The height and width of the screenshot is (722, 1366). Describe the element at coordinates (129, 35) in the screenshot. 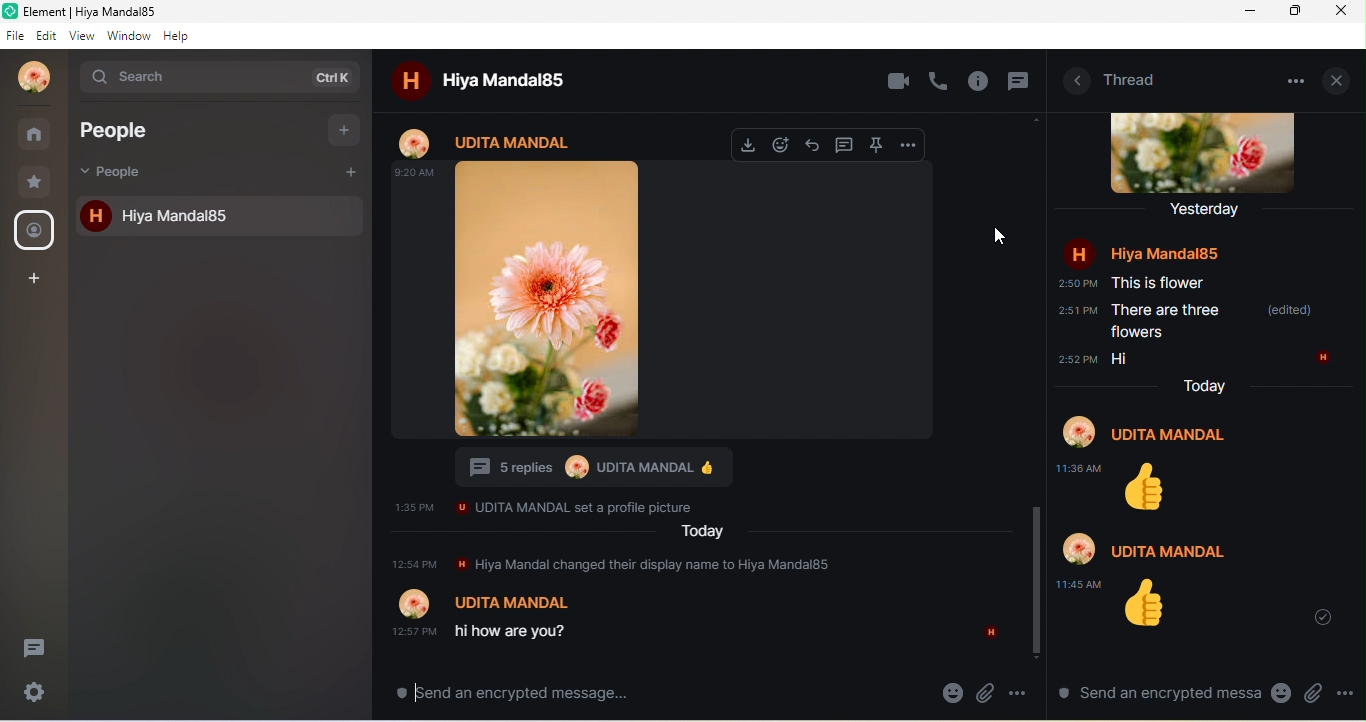

I see `window` at that location.